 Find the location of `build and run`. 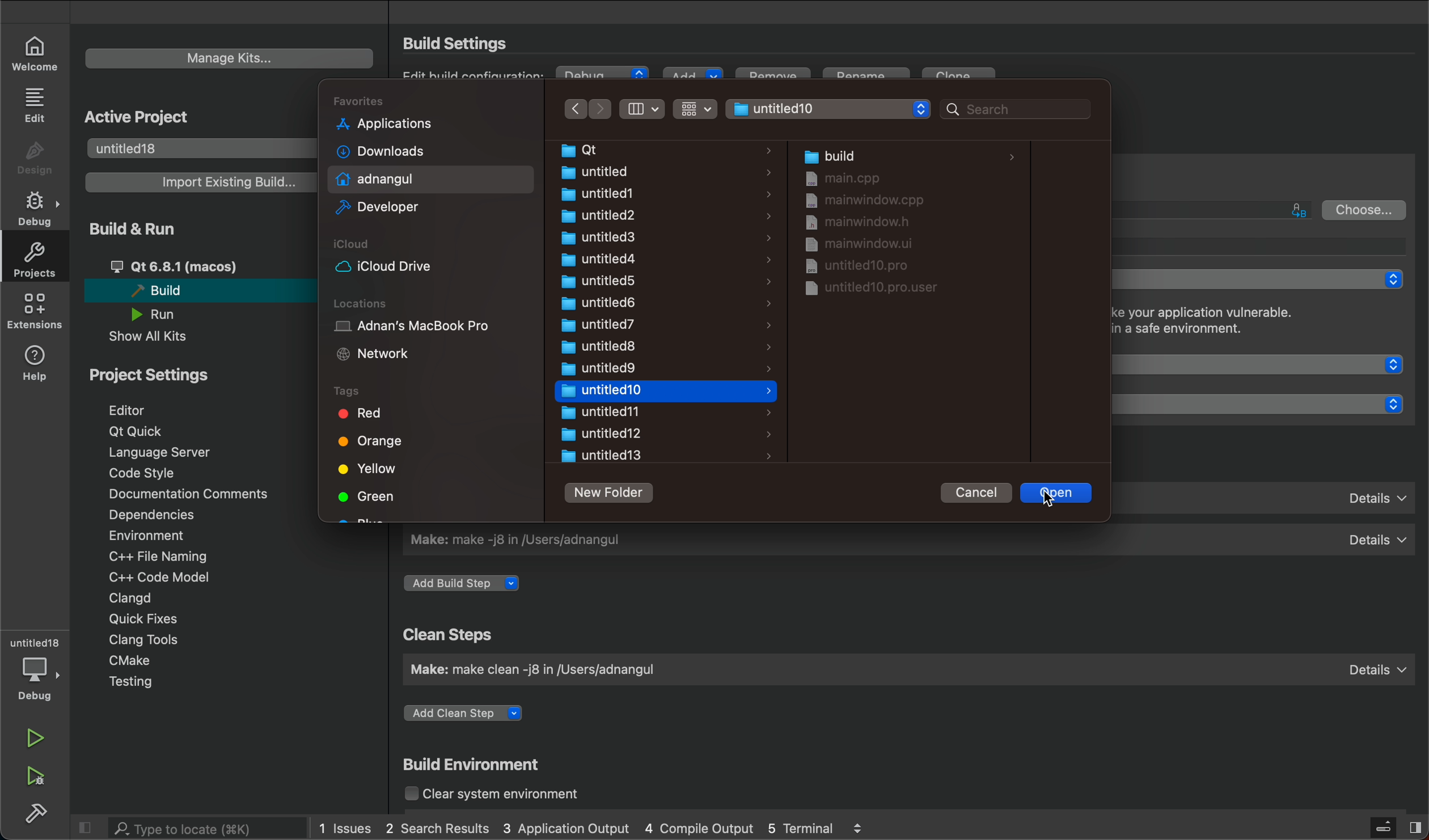

build and run is located at coordinates (137, 230).